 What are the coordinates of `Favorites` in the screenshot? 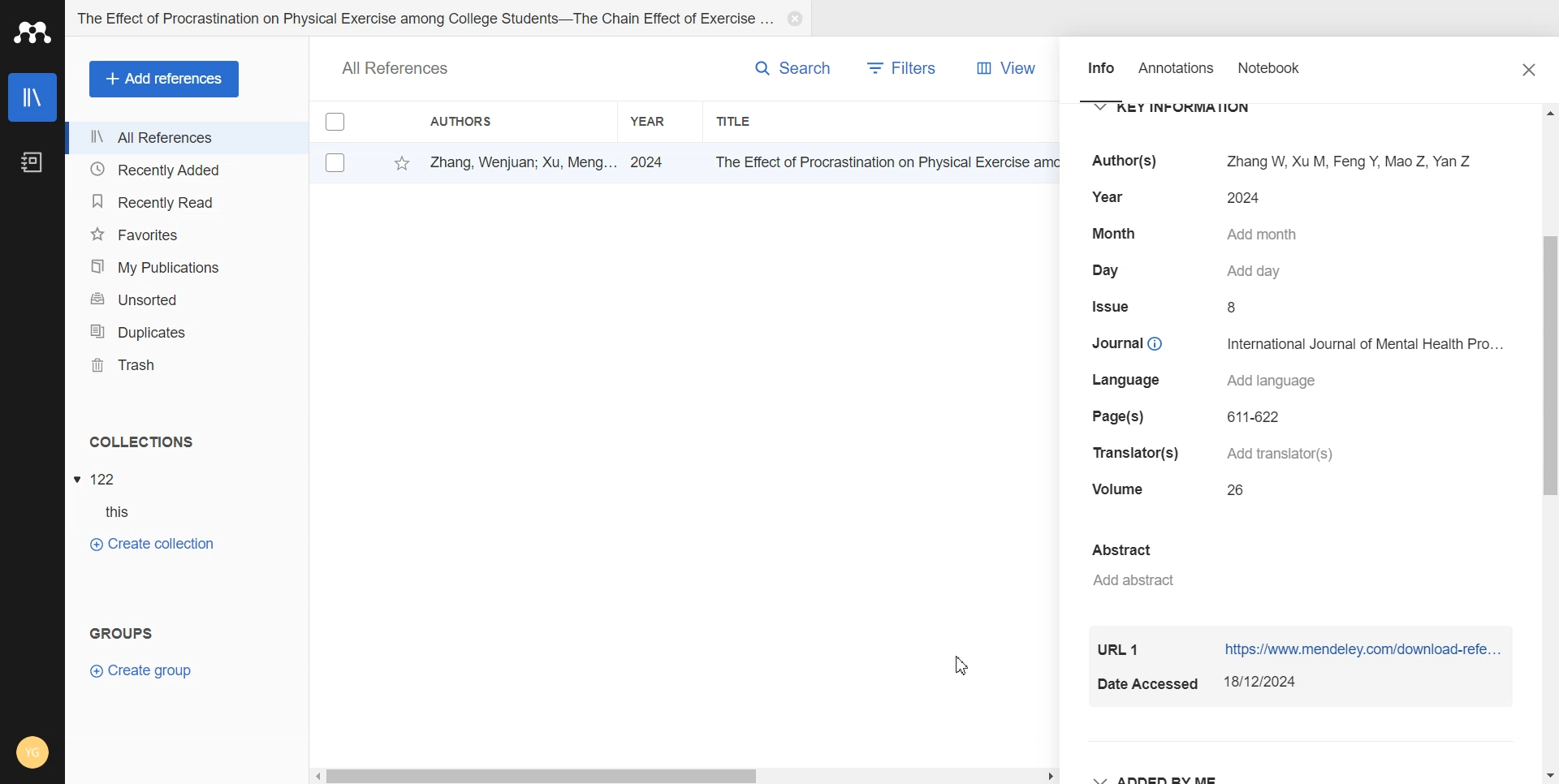 It's located at (187, 234).